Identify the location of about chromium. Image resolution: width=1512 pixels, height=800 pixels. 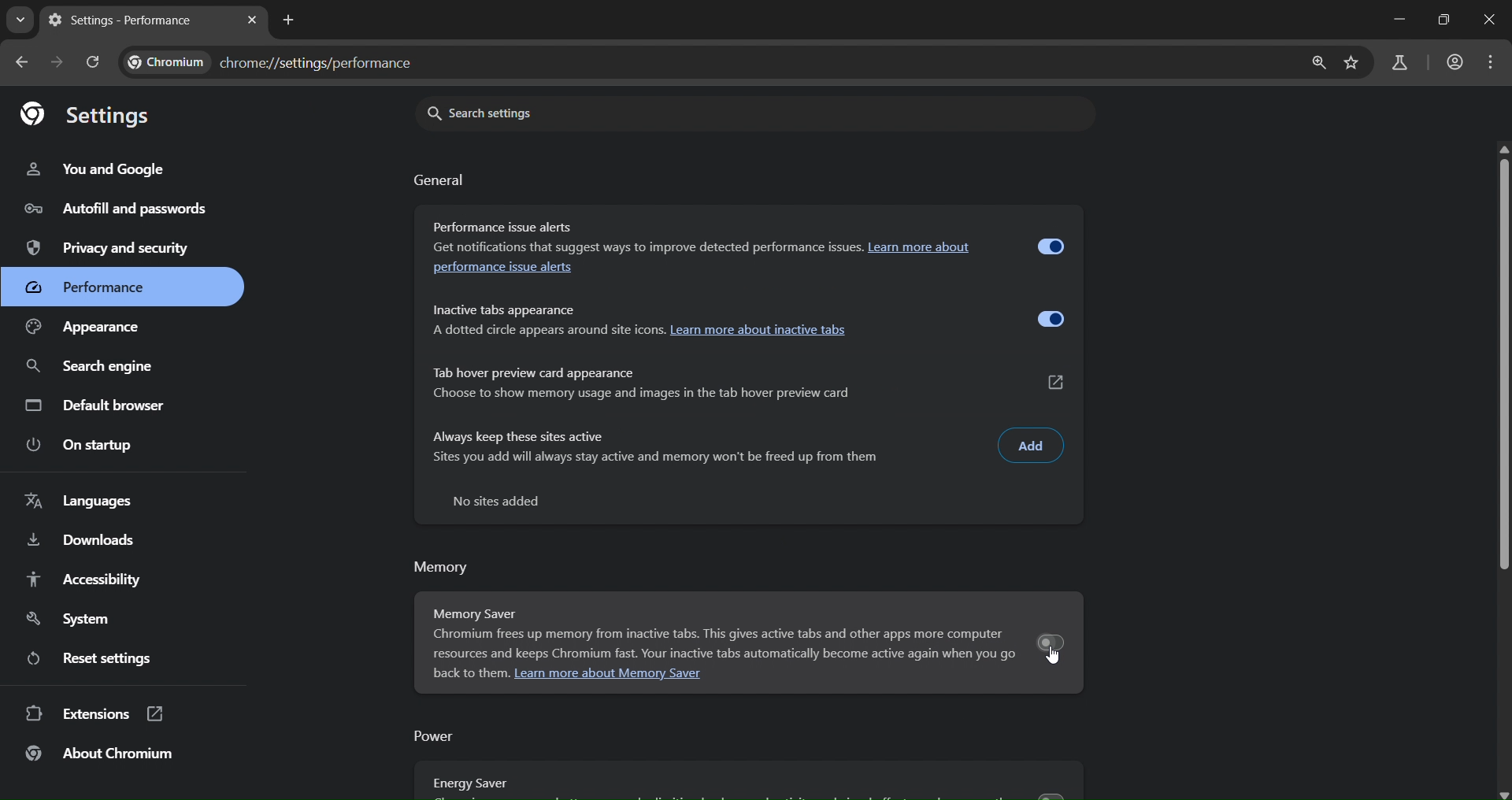
(103, 755).